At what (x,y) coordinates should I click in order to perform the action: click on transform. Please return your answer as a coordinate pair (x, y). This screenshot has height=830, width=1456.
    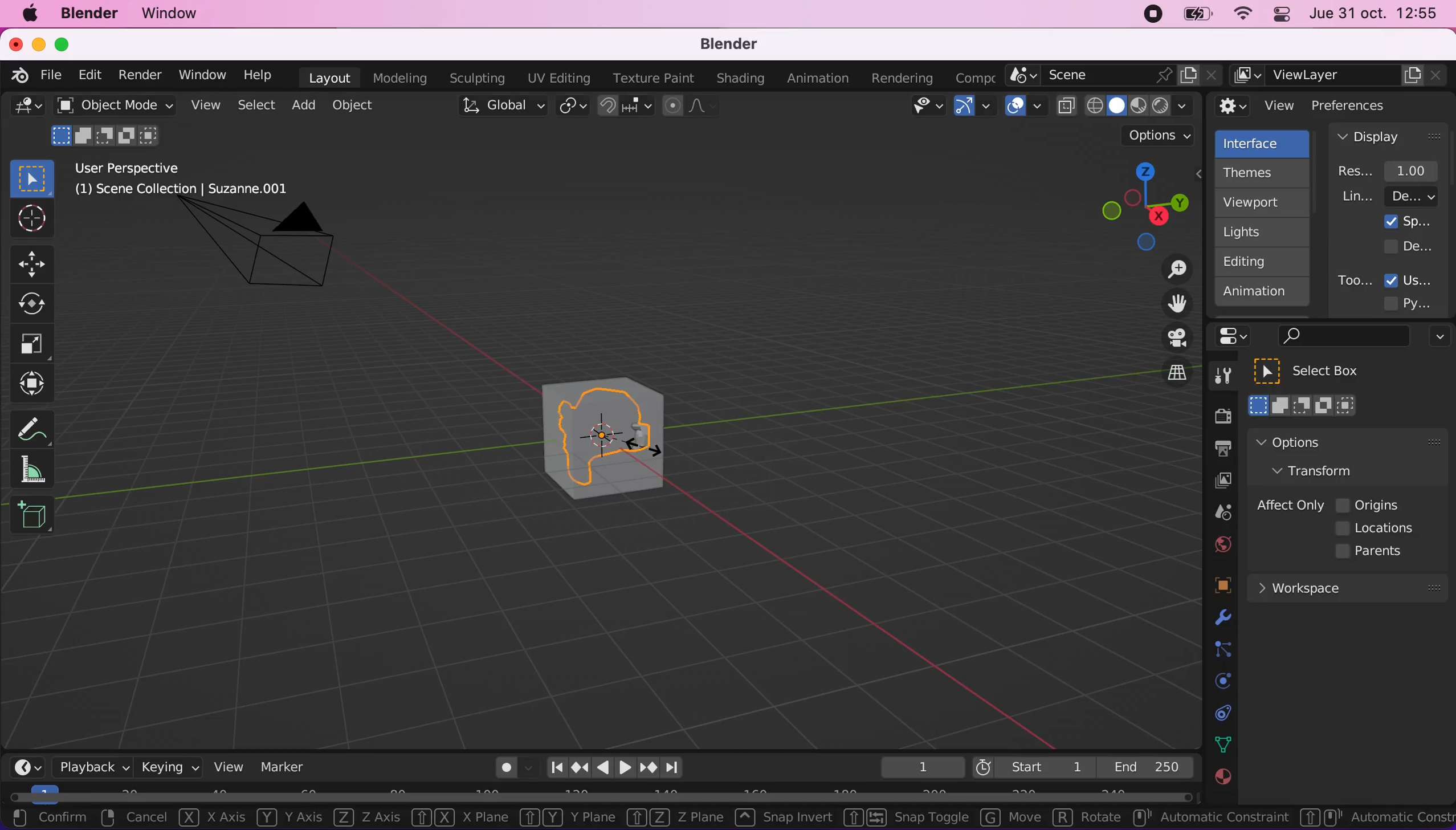
    Looking at the image, I should click on (35, 384).